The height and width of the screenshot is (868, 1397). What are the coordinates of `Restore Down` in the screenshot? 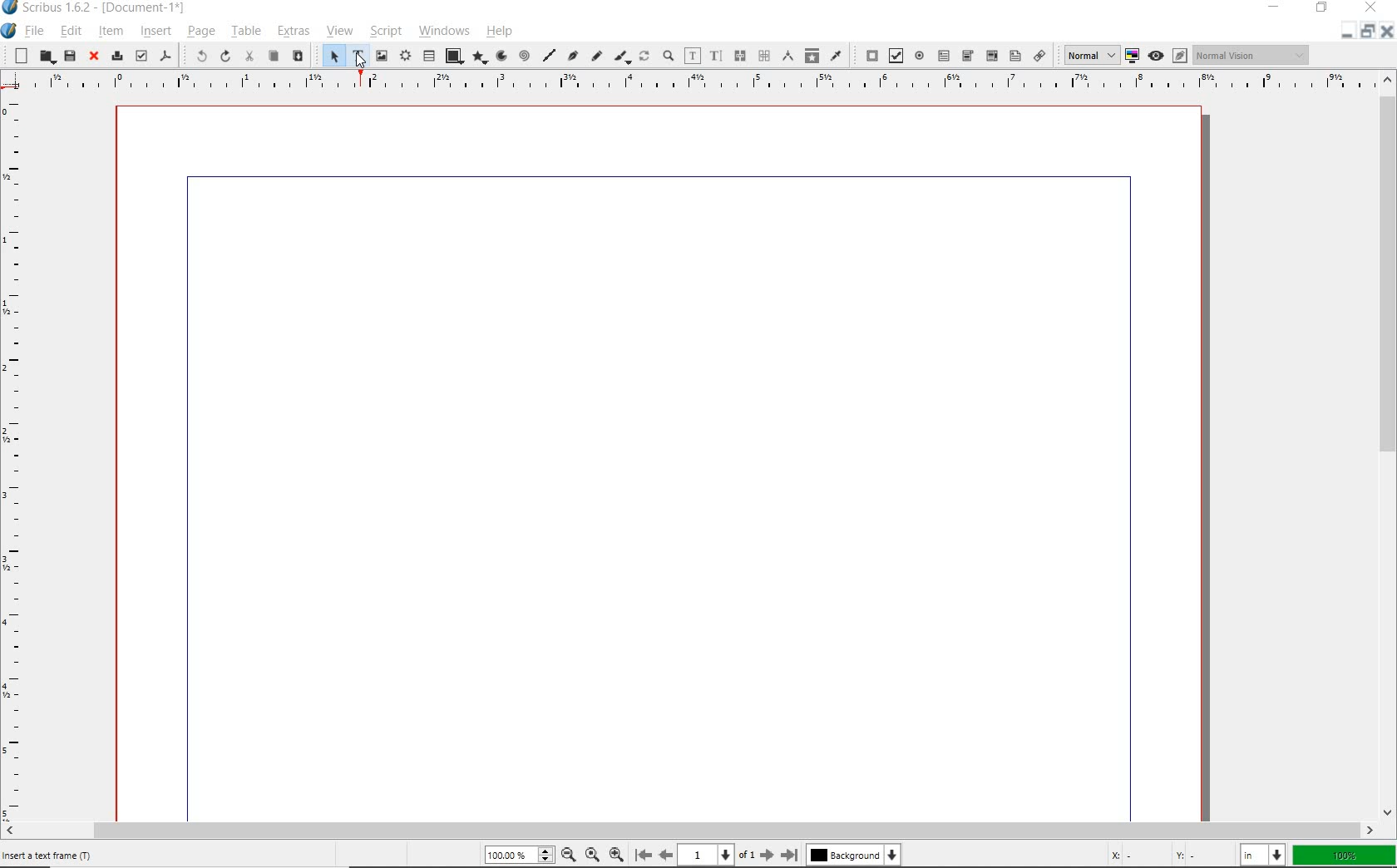 It's located at (1346, 31).